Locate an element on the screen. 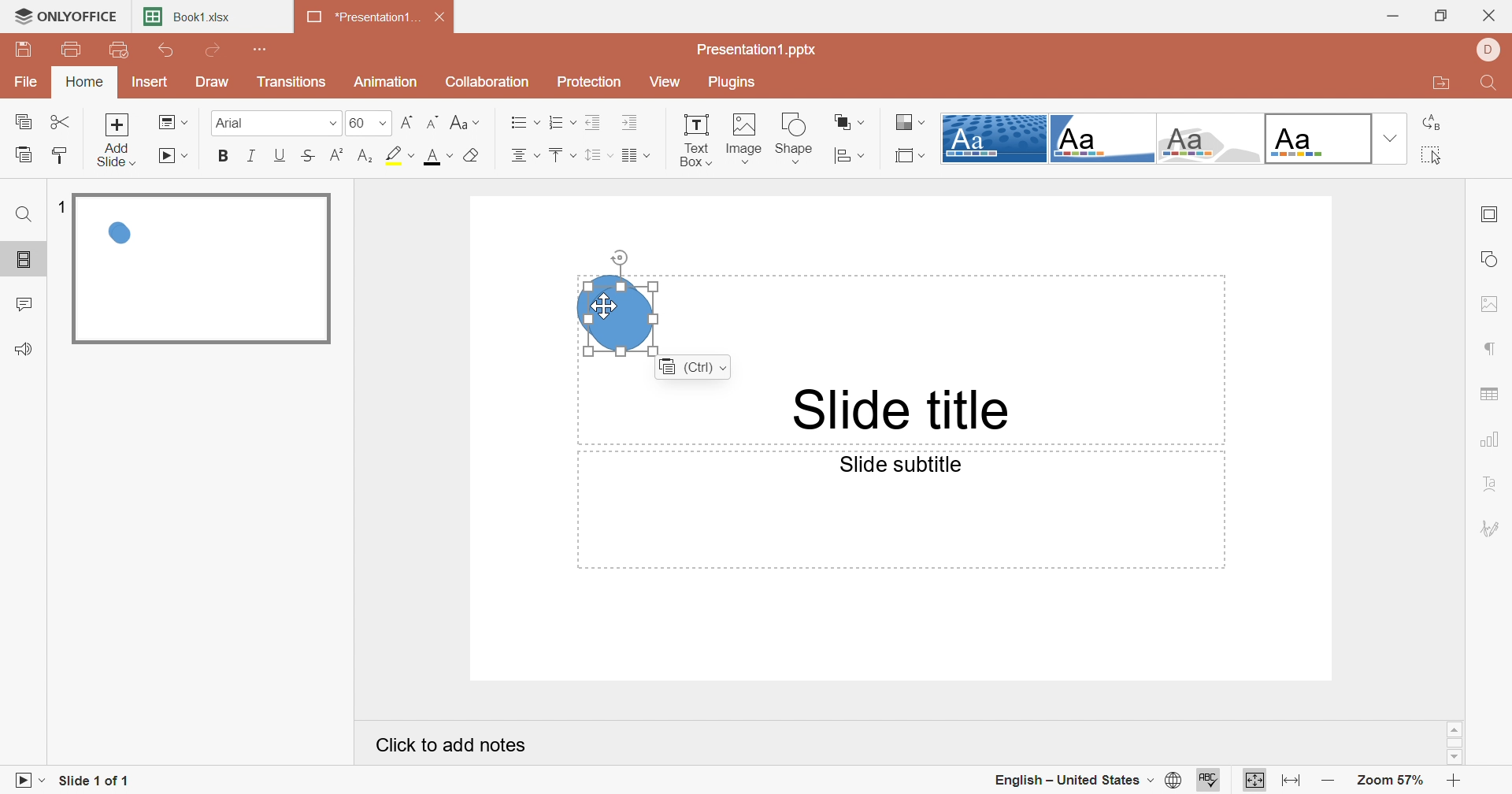 This screenshot has width=1512, height=794. Click to add notes is located at coordinates (454, 744).